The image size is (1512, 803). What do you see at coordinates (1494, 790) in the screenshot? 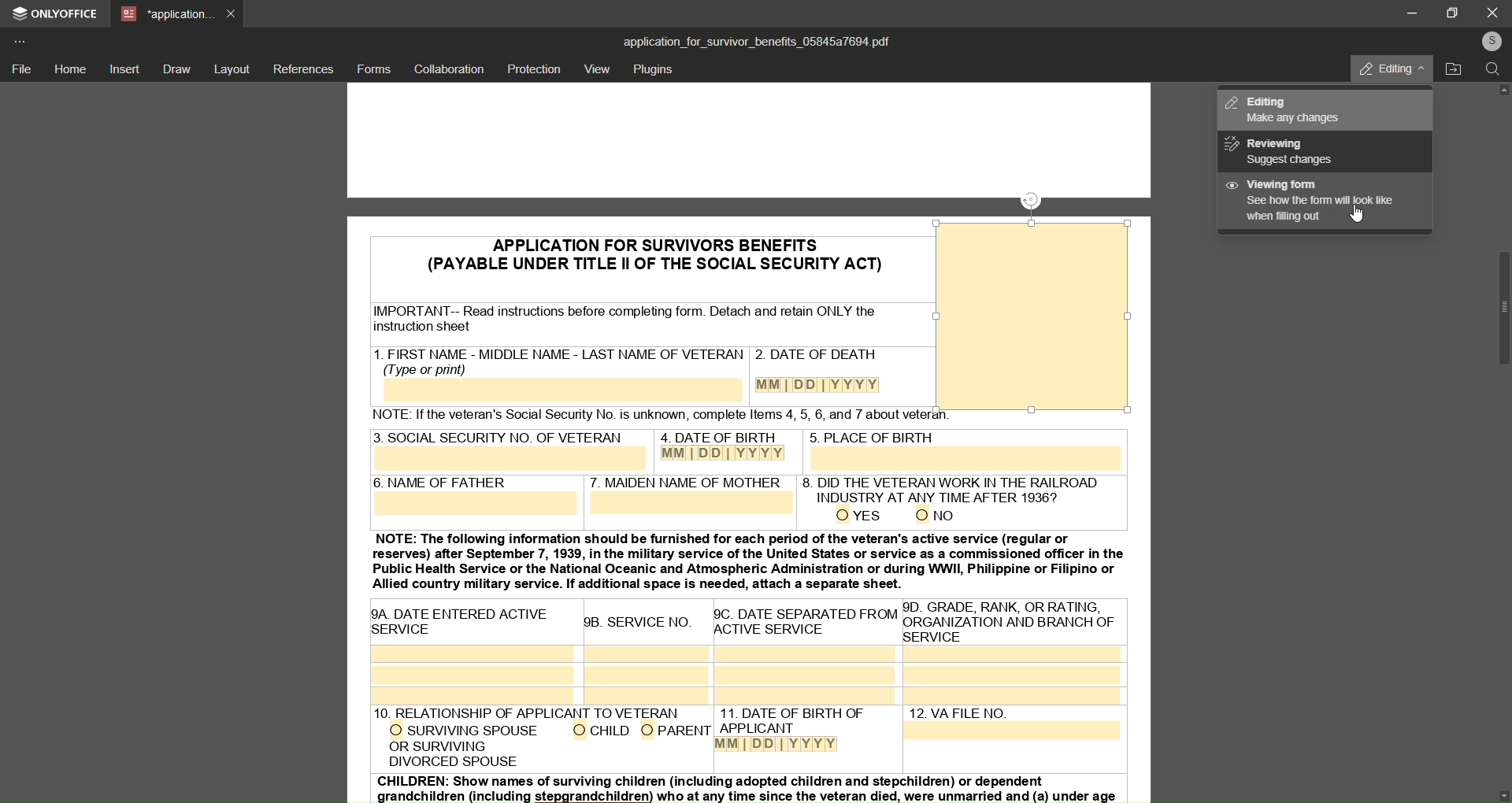
I see `move down` at bounding box center [1494, 790].